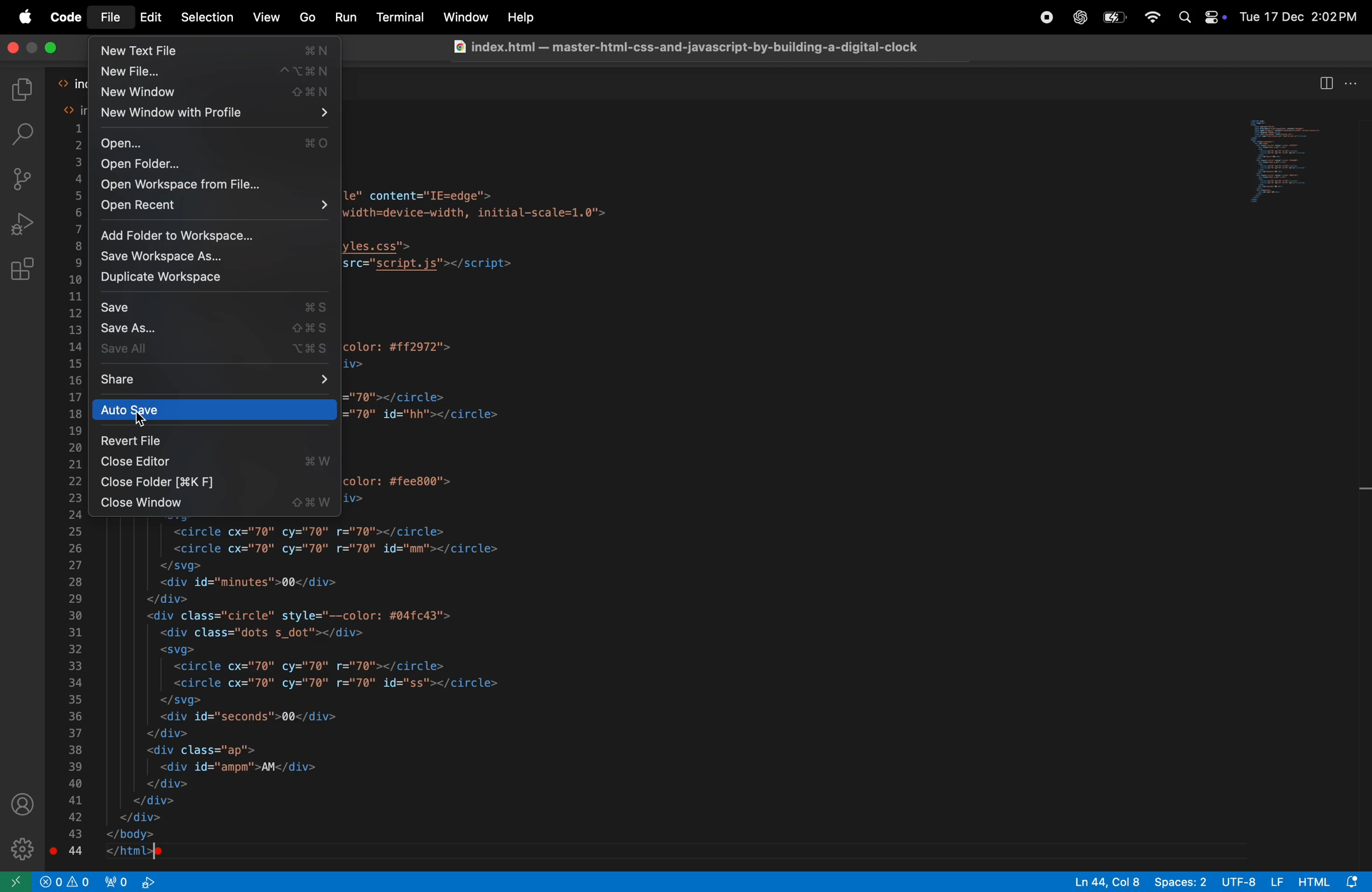  Describe the element at coordinates (212, 235) in the screenshot. I see `add folder to workspaces` at that location.